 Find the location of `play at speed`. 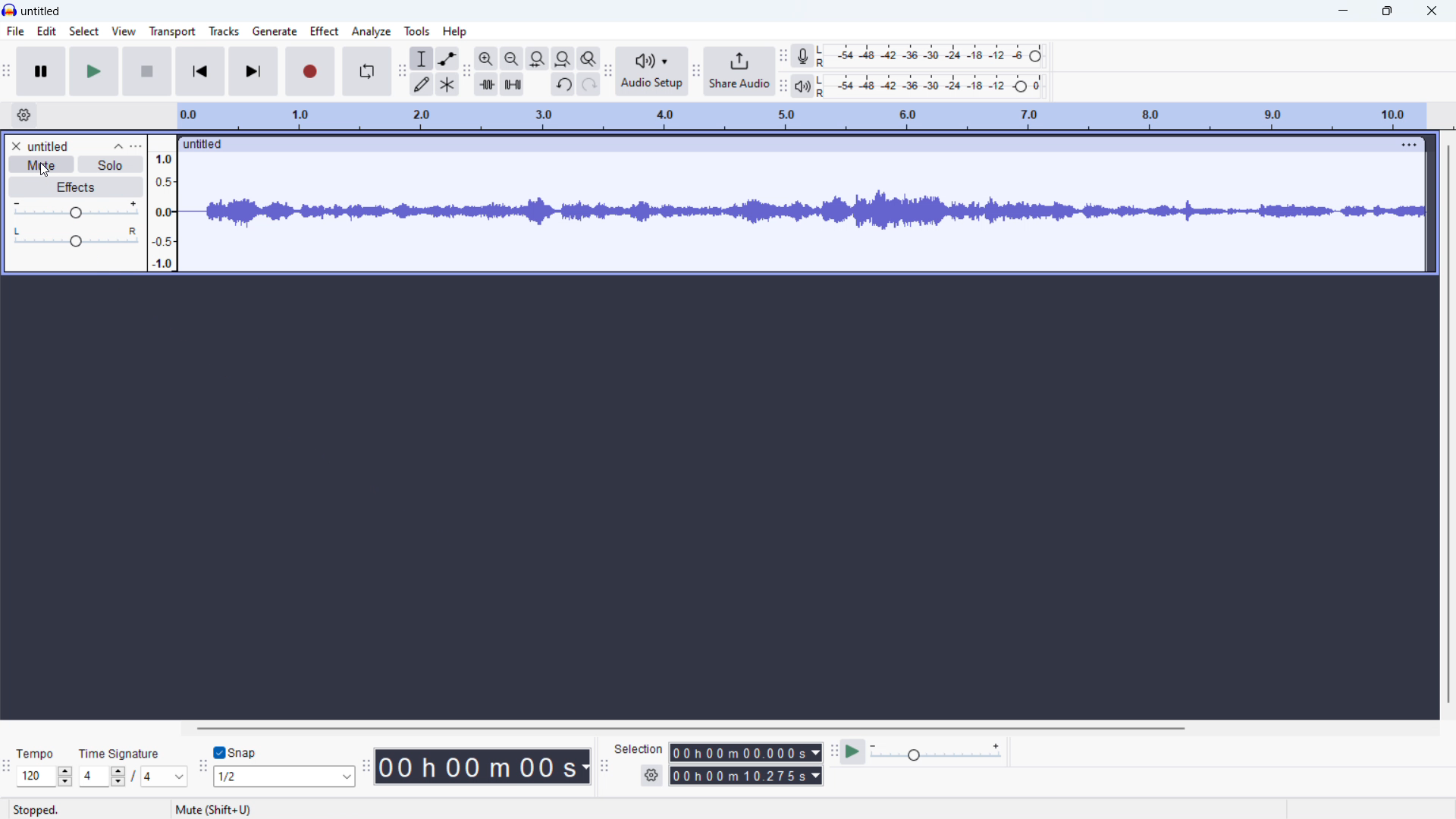

play at speed is located at coordinates (854, 752).